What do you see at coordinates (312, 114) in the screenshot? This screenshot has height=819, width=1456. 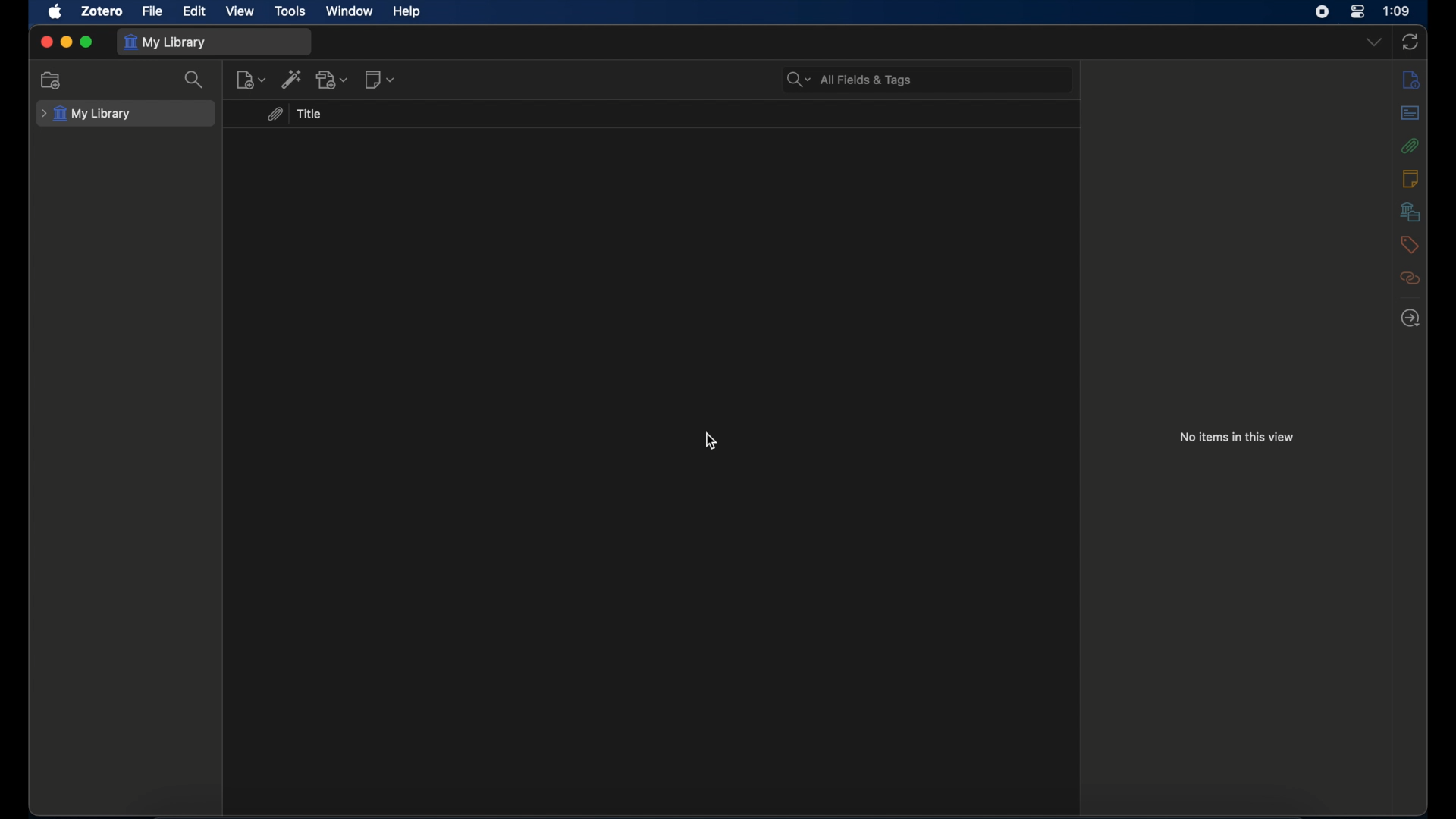 I see `title` at bounding box center [312, 114].